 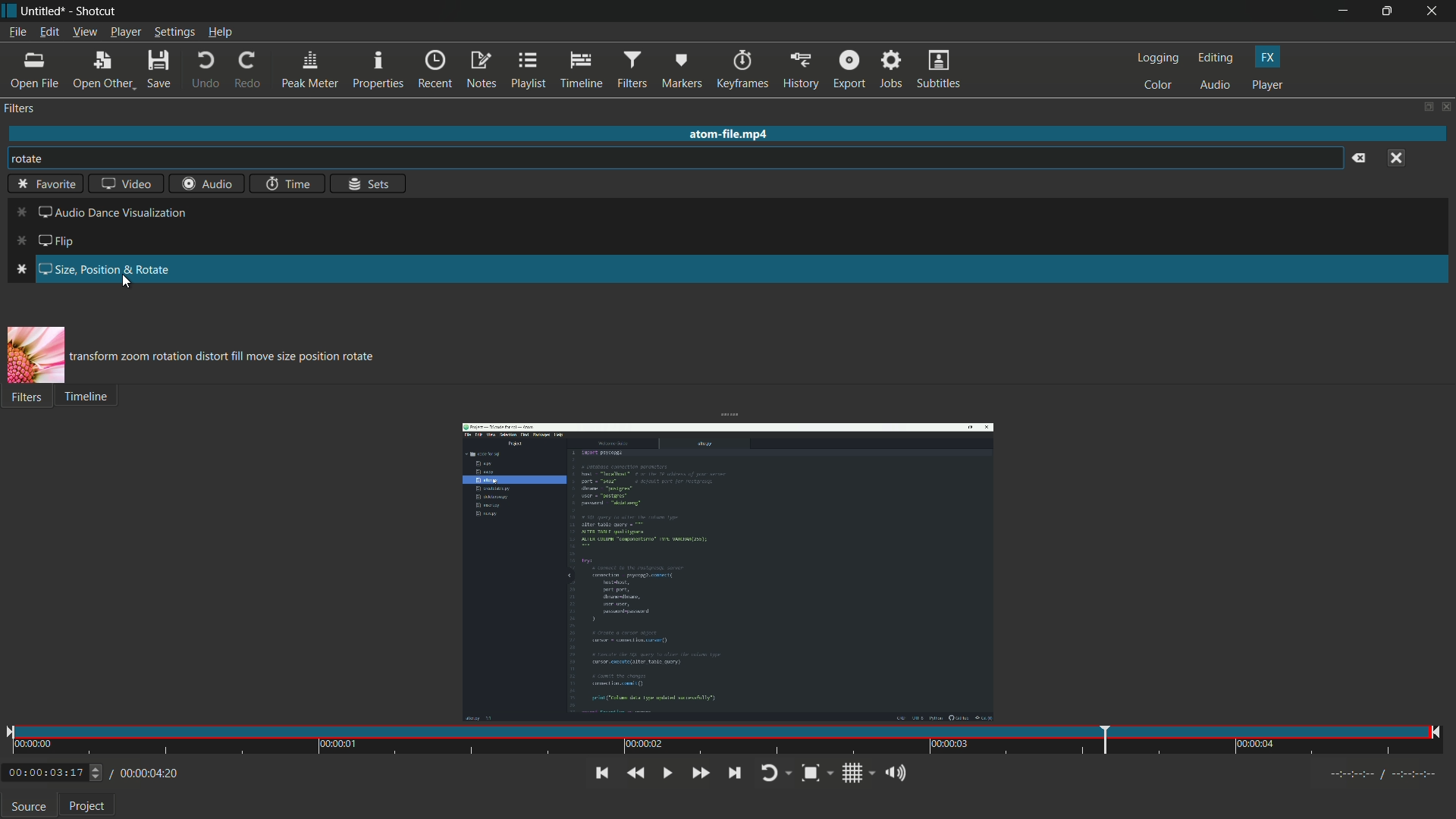 What do you see at coordinates (1436, 11) in the screenshot?
I see `close app` at bounding box center [1436, 11].